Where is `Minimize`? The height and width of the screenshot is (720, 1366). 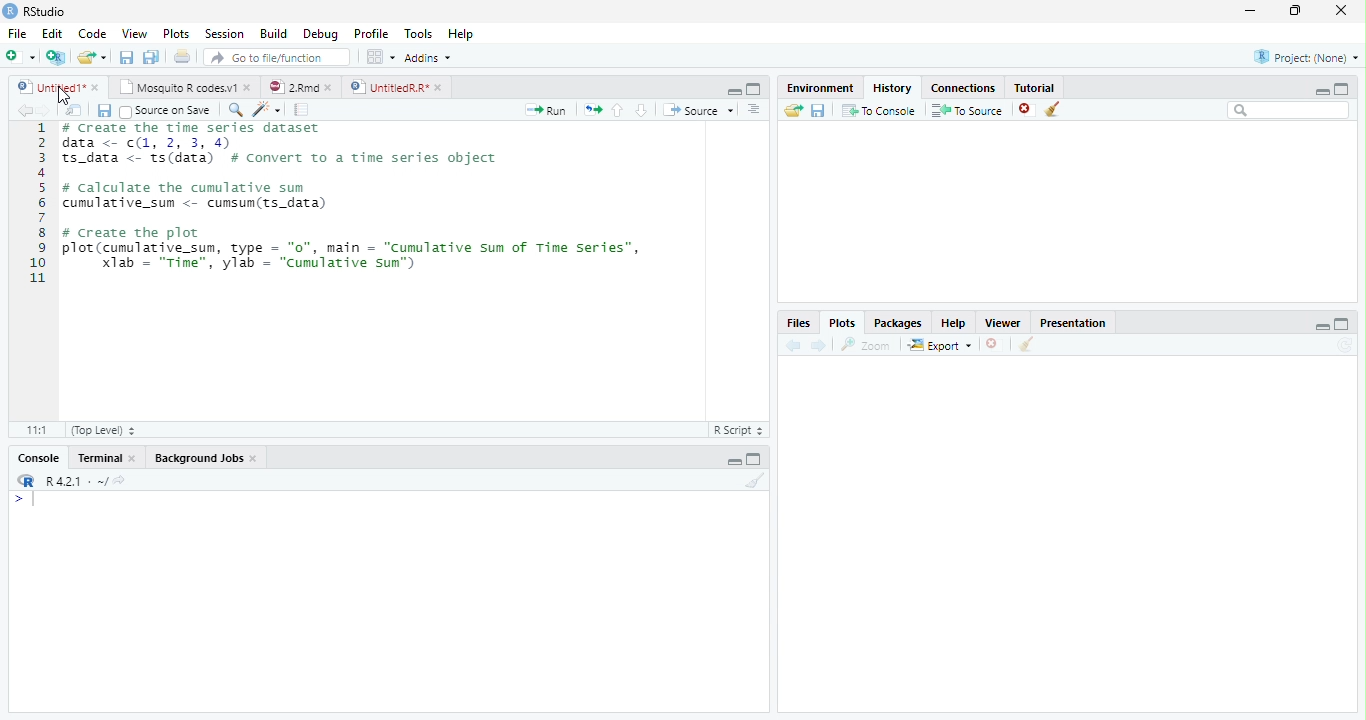 Minimize is located at coordinates (733, 462).